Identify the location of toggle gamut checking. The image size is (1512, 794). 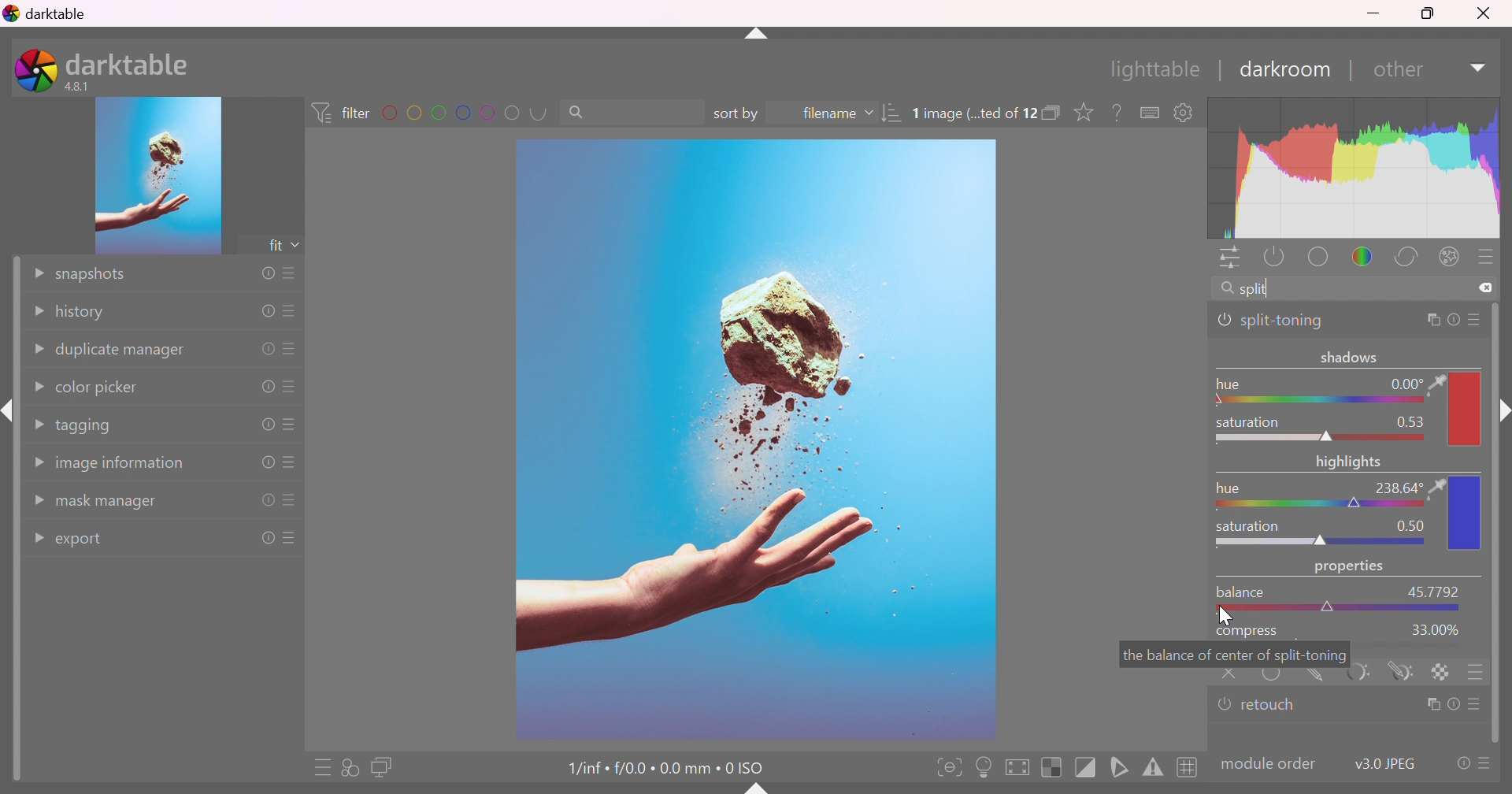
(1154, 770).